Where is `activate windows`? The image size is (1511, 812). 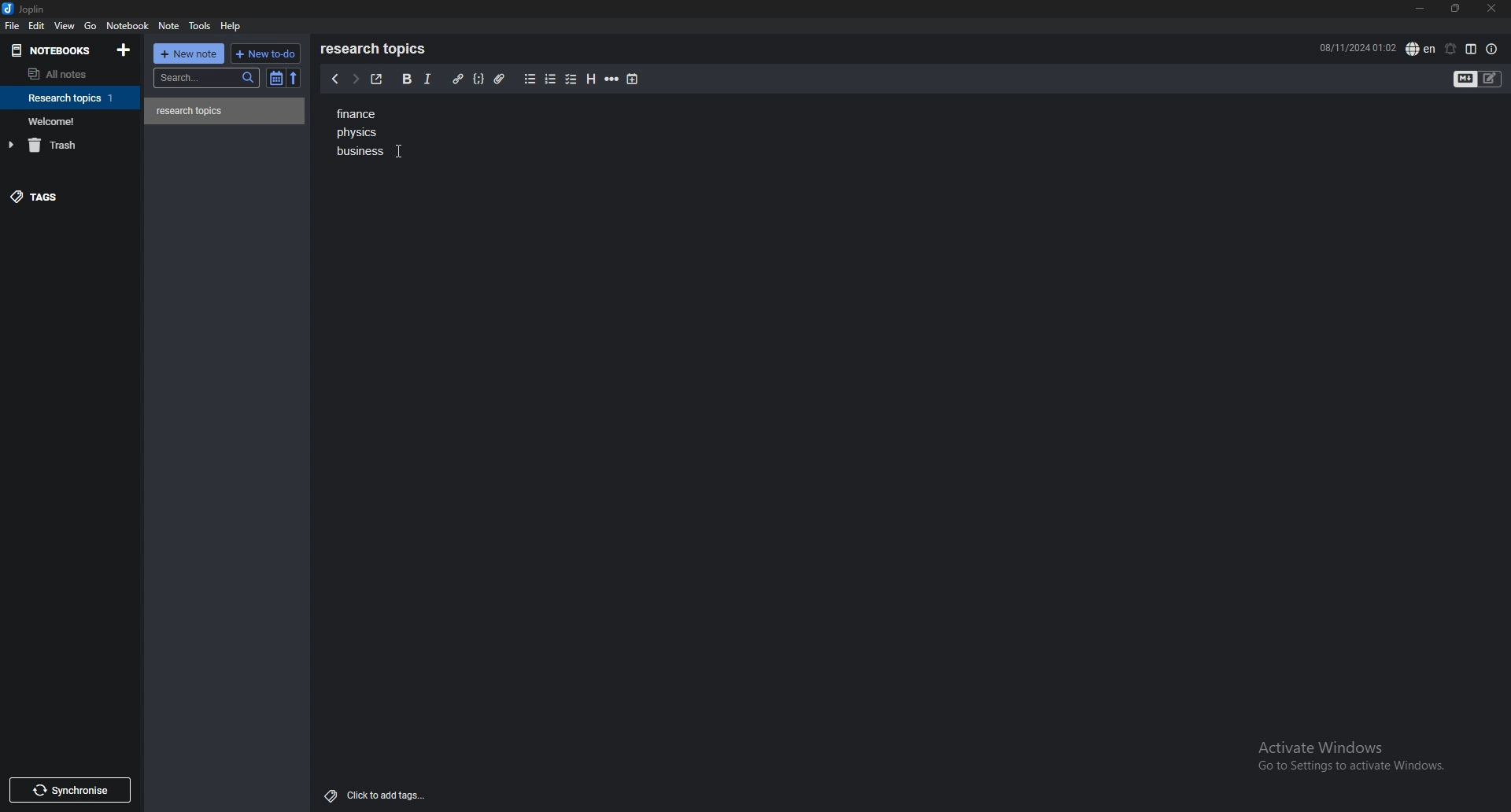
activate windows is located at coordinates (1350, 756).